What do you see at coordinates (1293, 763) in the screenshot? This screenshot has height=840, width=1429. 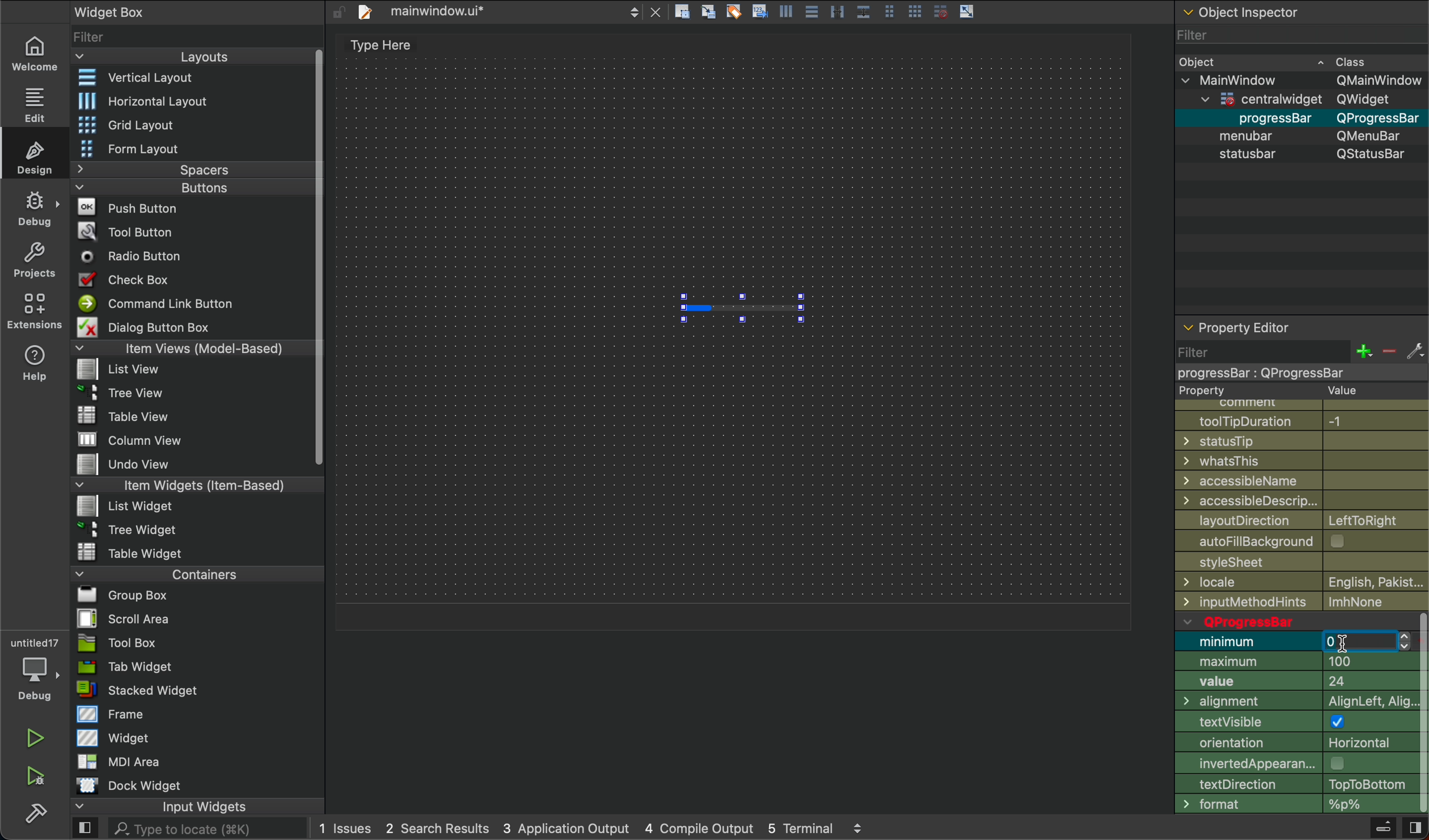 I see `appereance` at bounding box center [1293, 763].